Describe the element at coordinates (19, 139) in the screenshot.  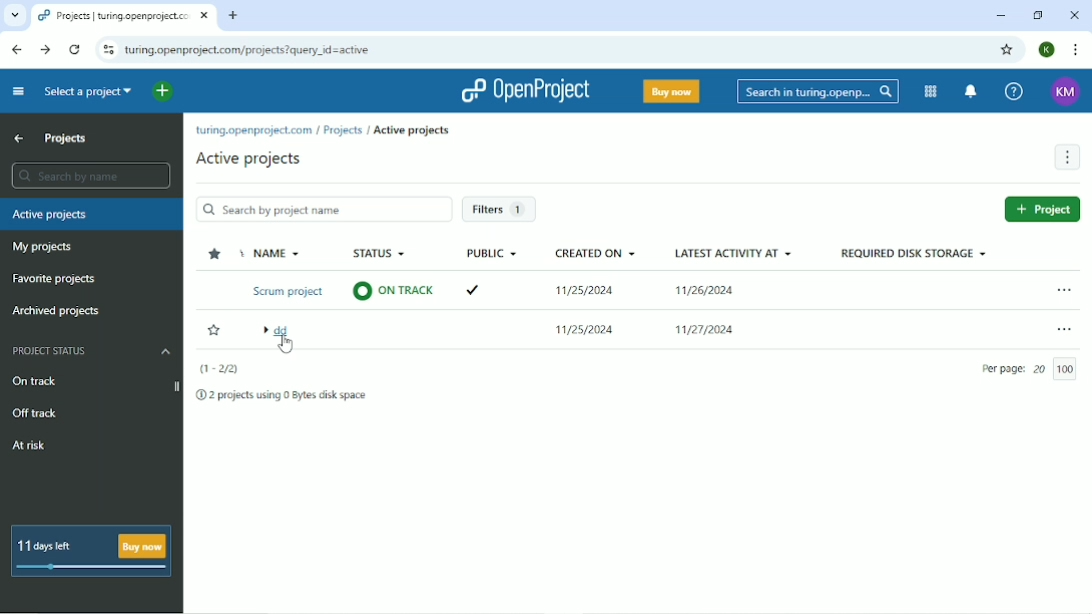
I see `Up` at that location.